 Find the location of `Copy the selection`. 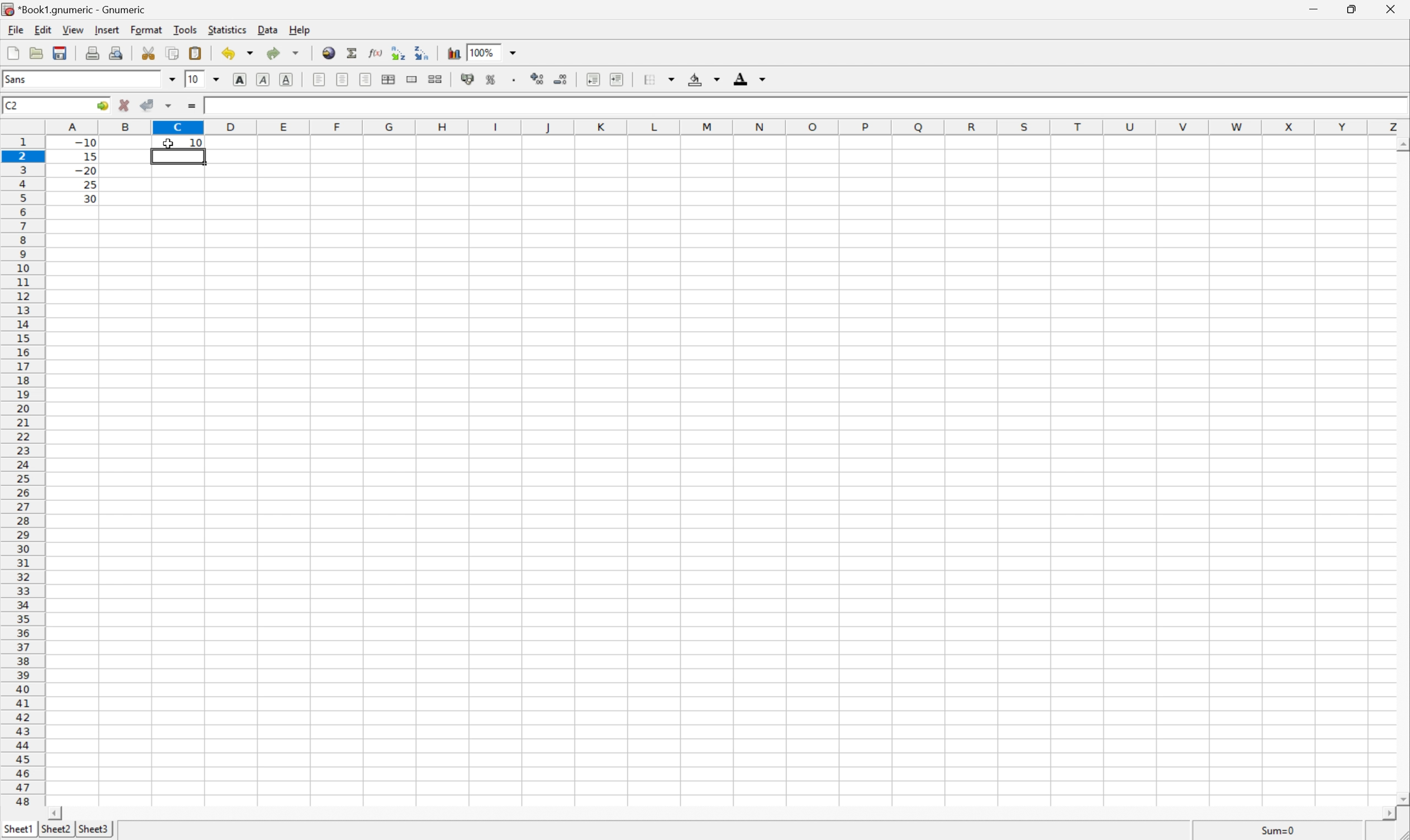

Copy the selection is located at coordinates (172, 53).